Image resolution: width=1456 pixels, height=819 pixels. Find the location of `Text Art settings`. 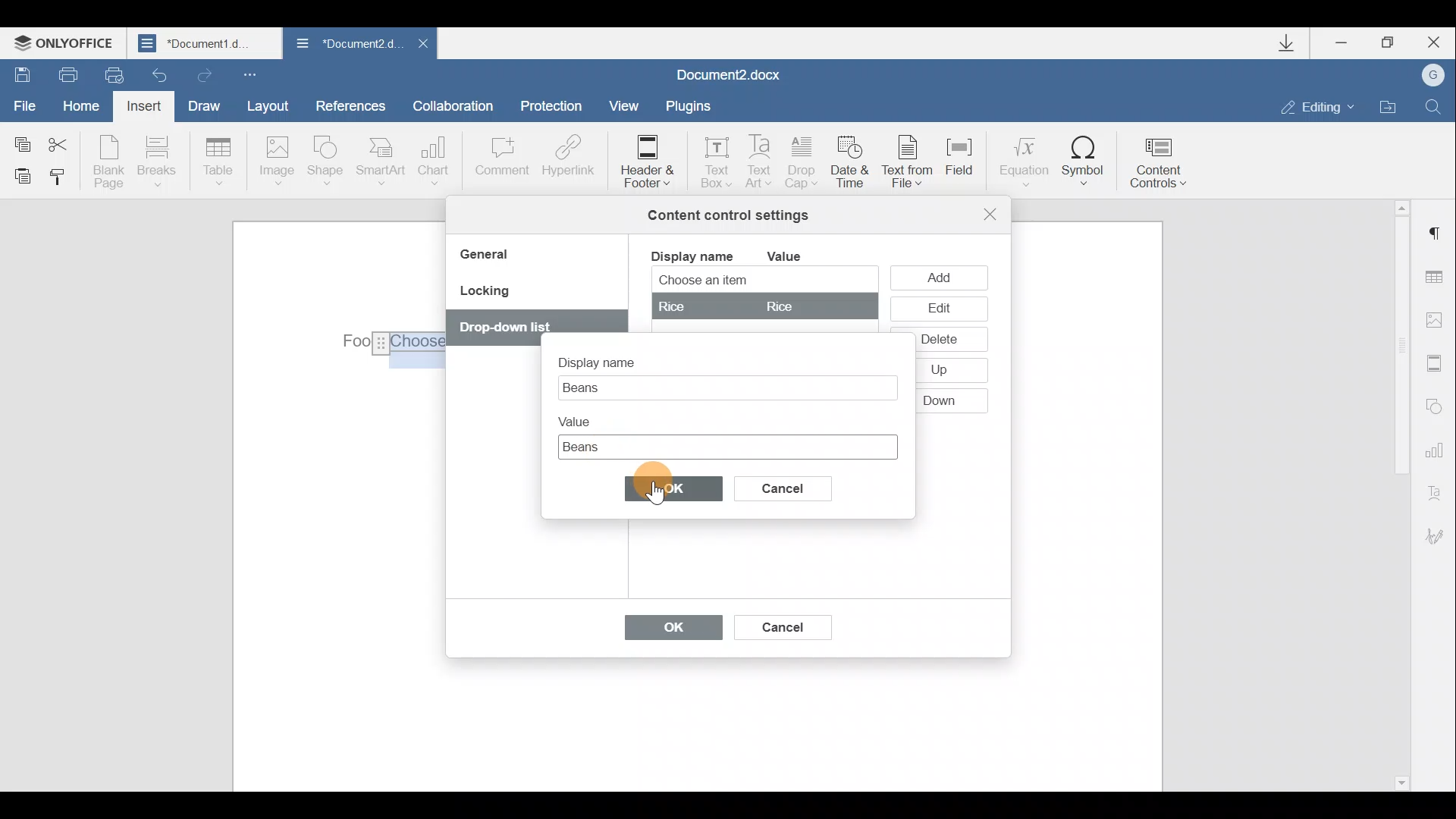

Text Art settings is located at coordinates (1439, 490).